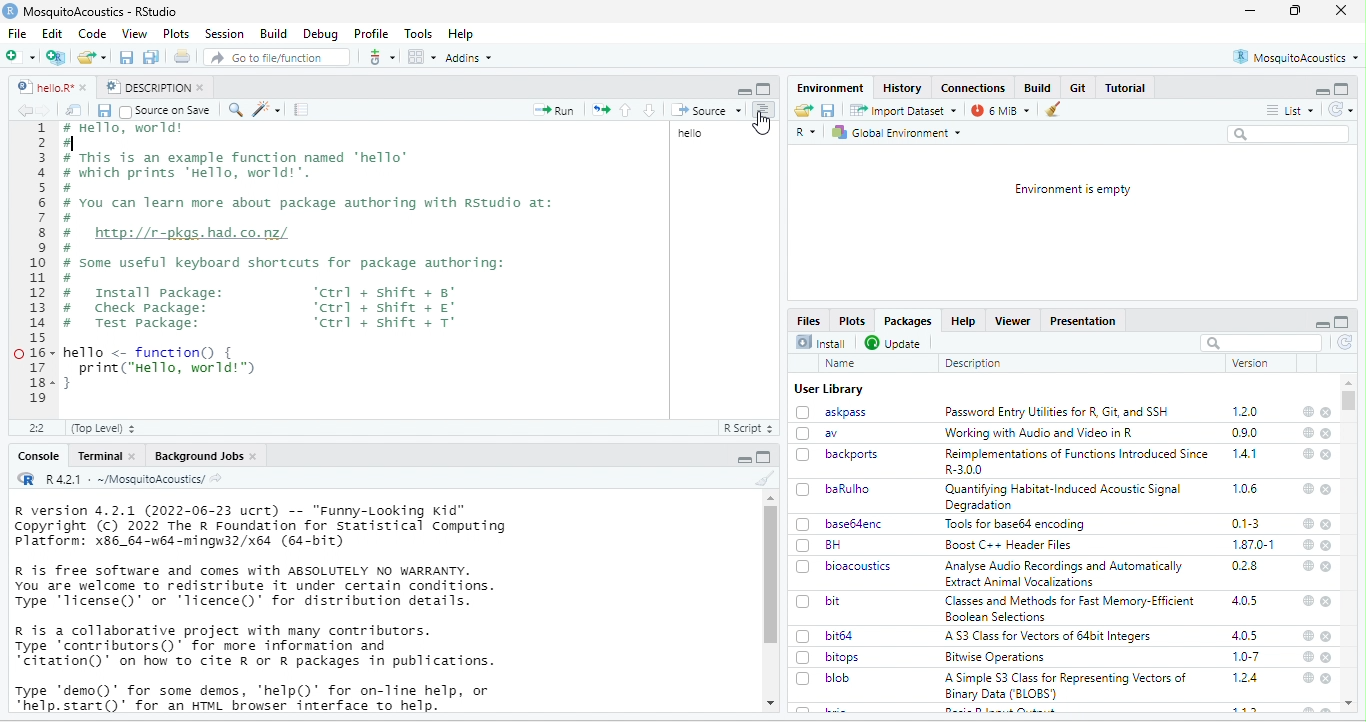 The width and height of the screenshot is (1366, 722). I want to click on User Library, so click(828, 389).